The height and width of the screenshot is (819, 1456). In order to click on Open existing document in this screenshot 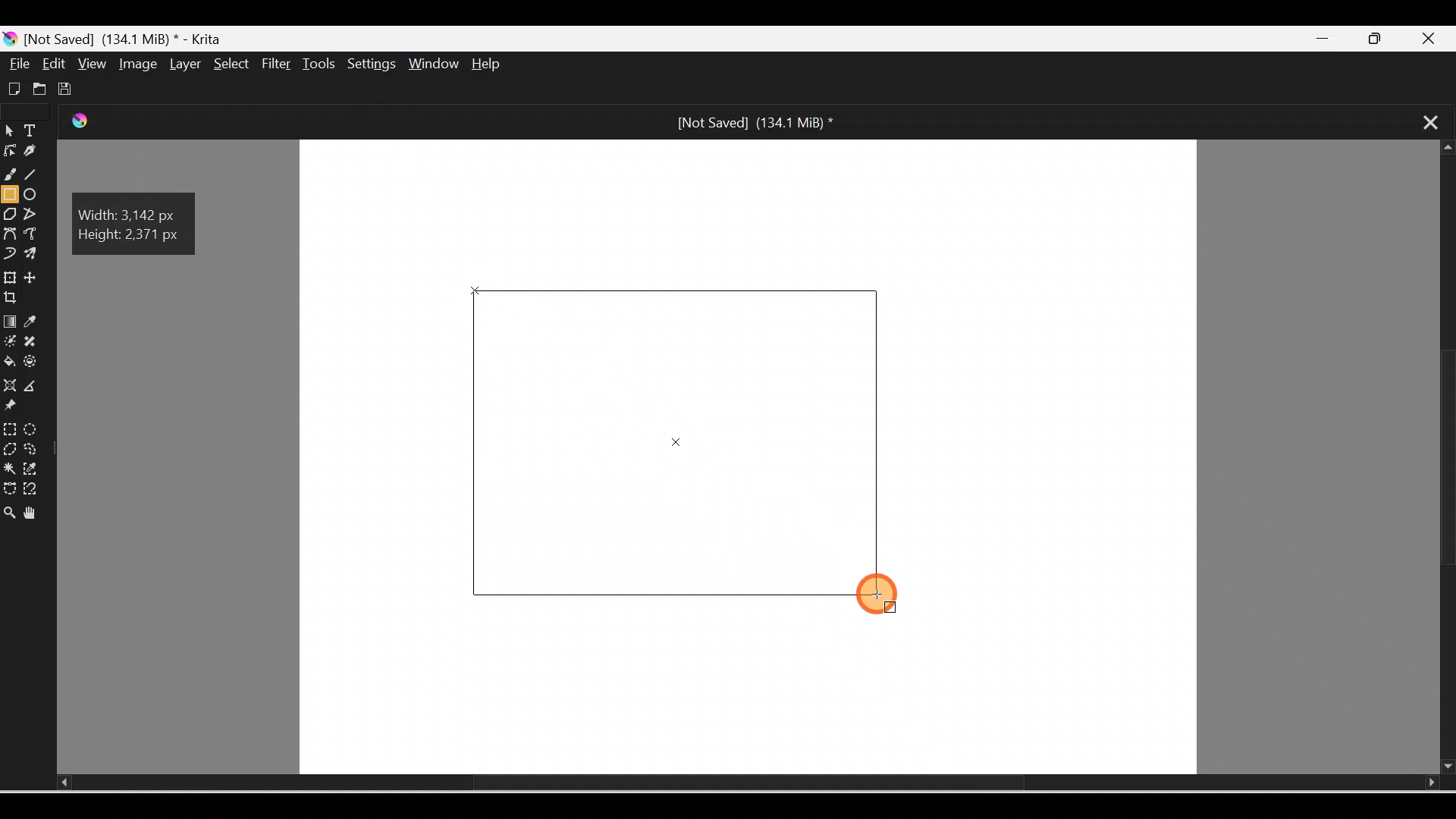, I will do `click(37, 89)`.